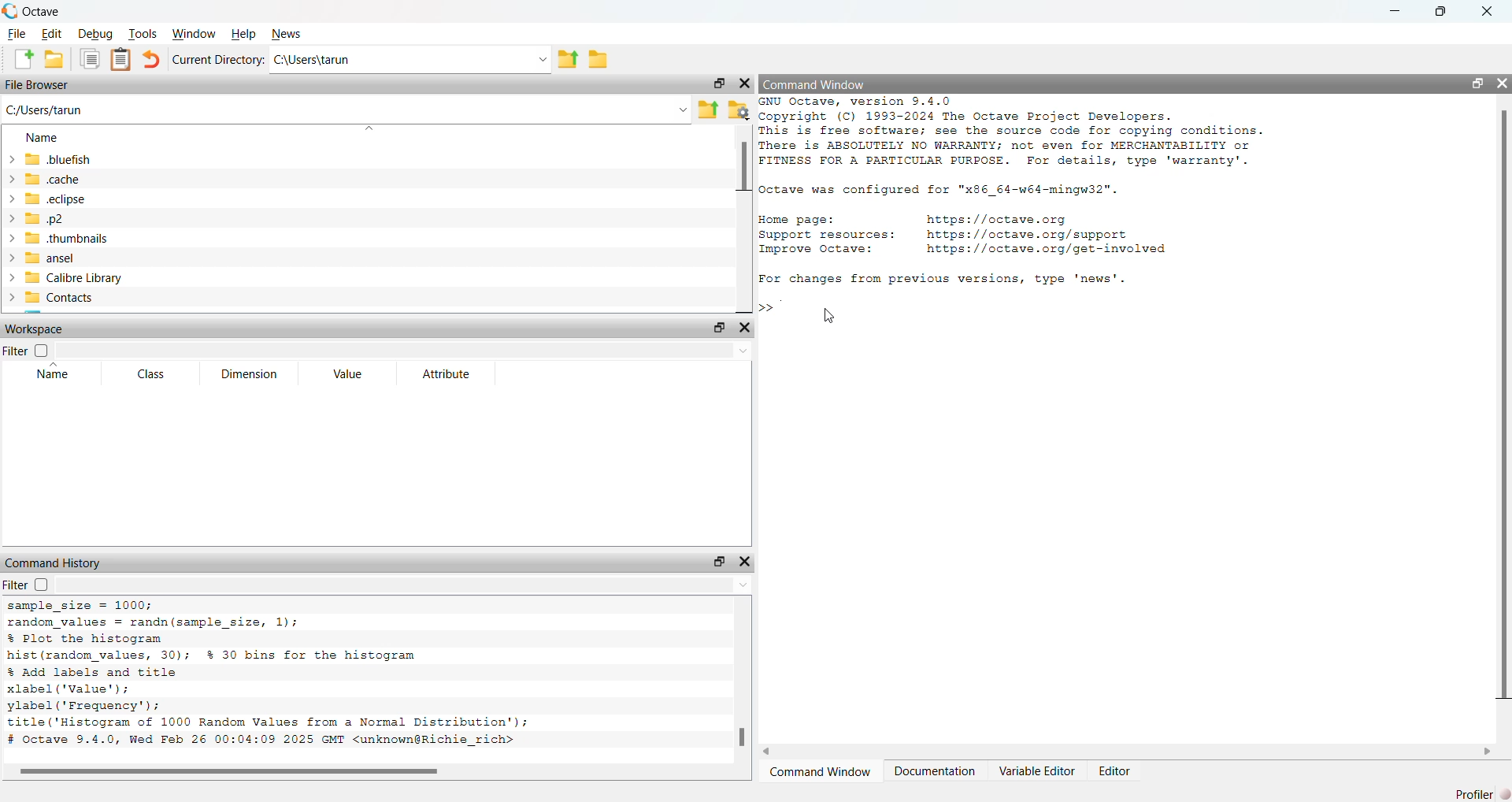 The image size is (1512, 802). Describe the element at coordinates (1001, 217) in the screenshot. I see `https://octave.org` at that location.